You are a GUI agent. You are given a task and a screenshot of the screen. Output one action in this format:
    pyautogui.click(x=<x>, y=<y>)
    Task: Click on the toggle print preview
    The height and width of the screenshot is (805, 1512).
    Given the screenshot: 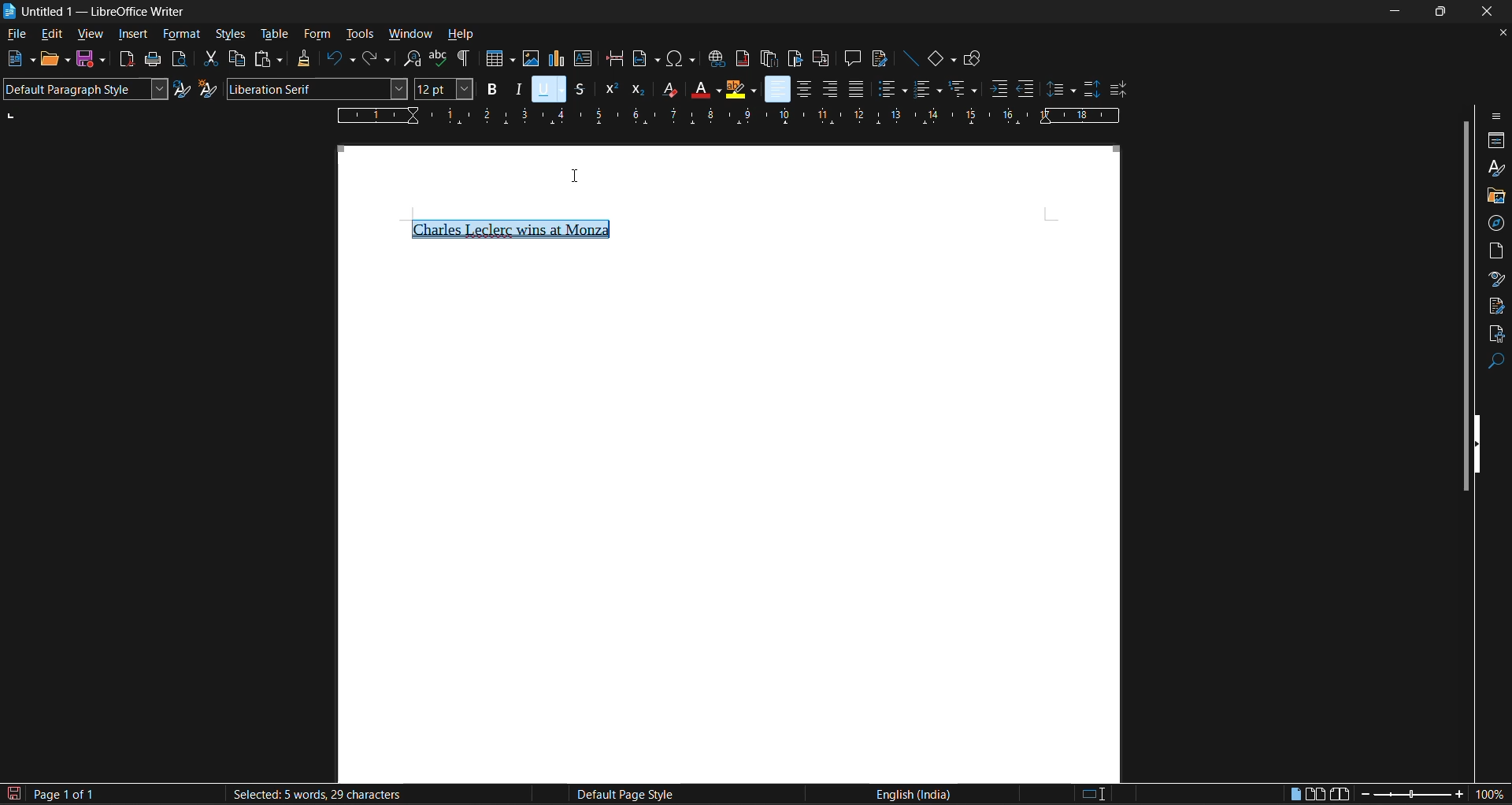 What is the action you would take?
    pyautogui.click(x=178, y=58)
    